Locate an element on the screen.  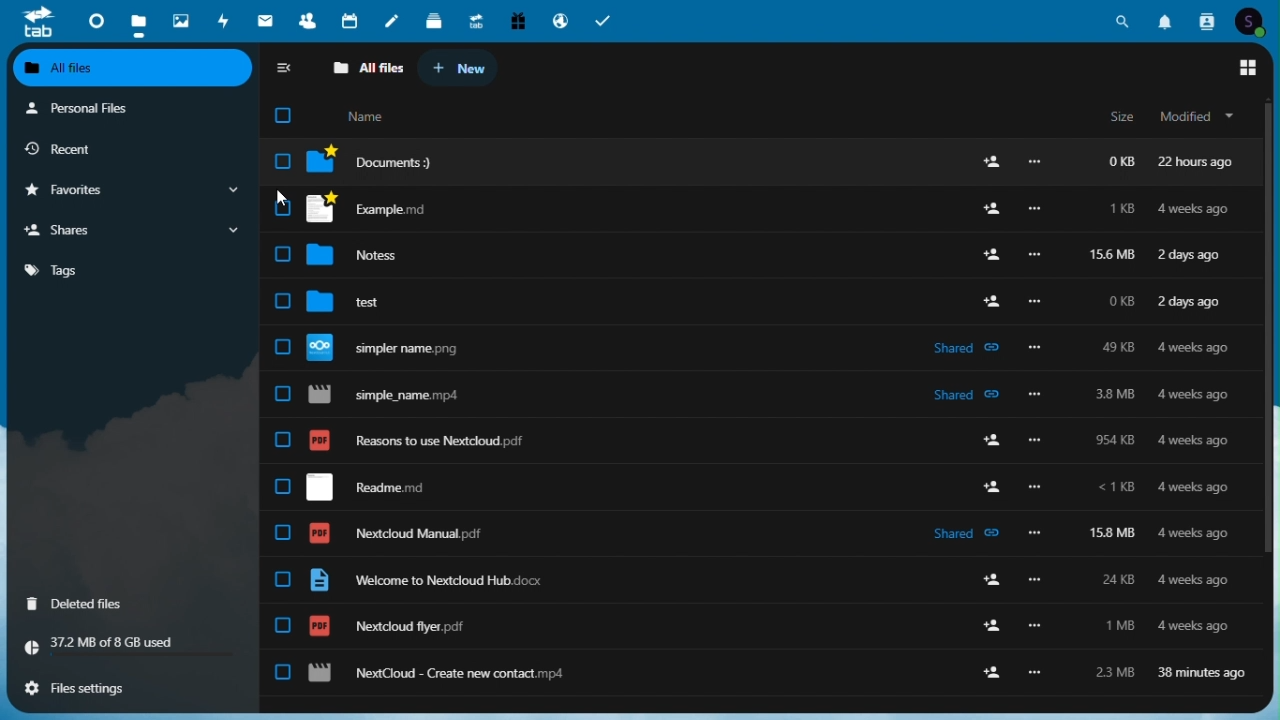
more options is located at coordinates (1038, 674).